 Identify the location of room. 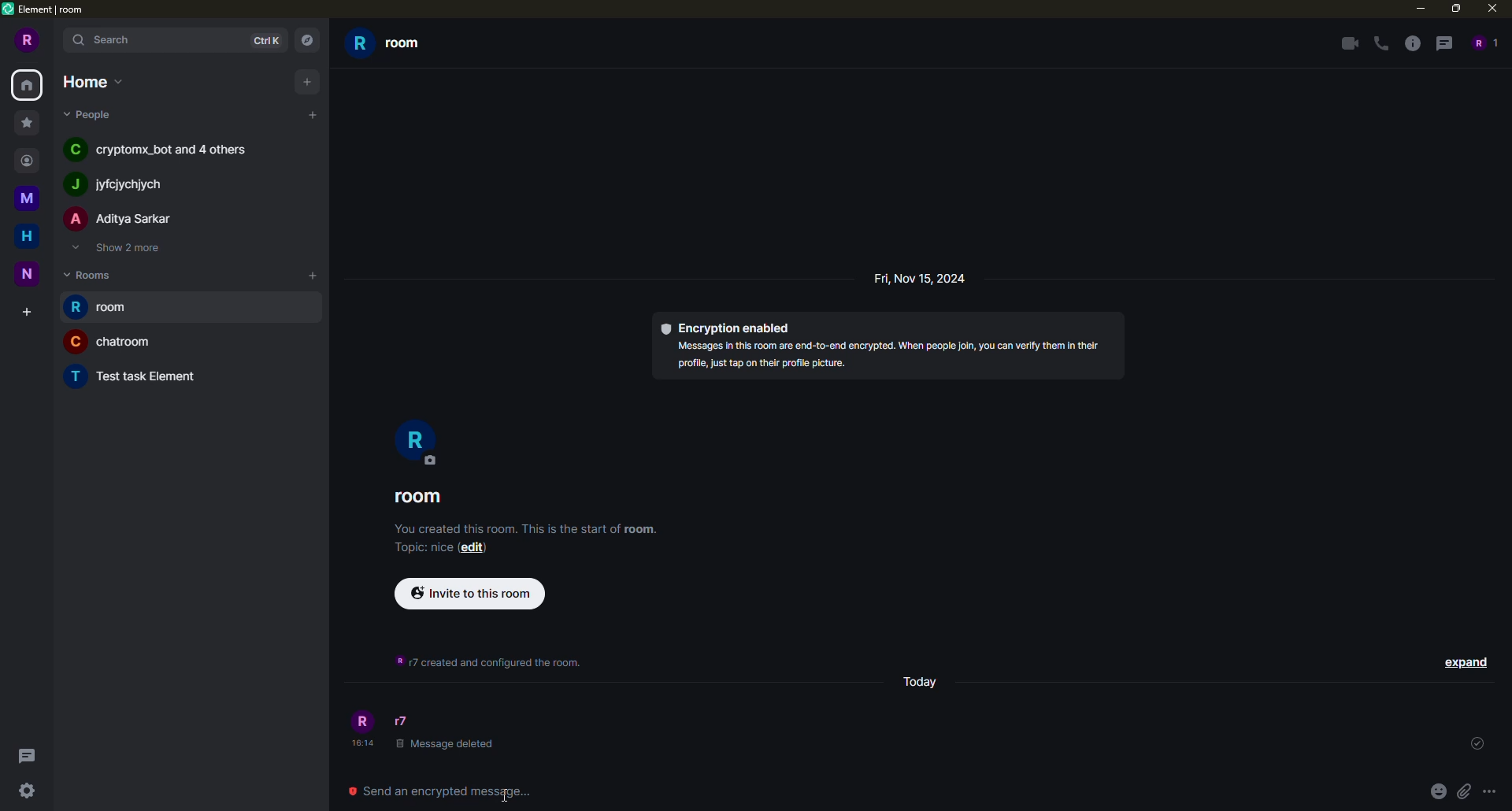
(137, 376).